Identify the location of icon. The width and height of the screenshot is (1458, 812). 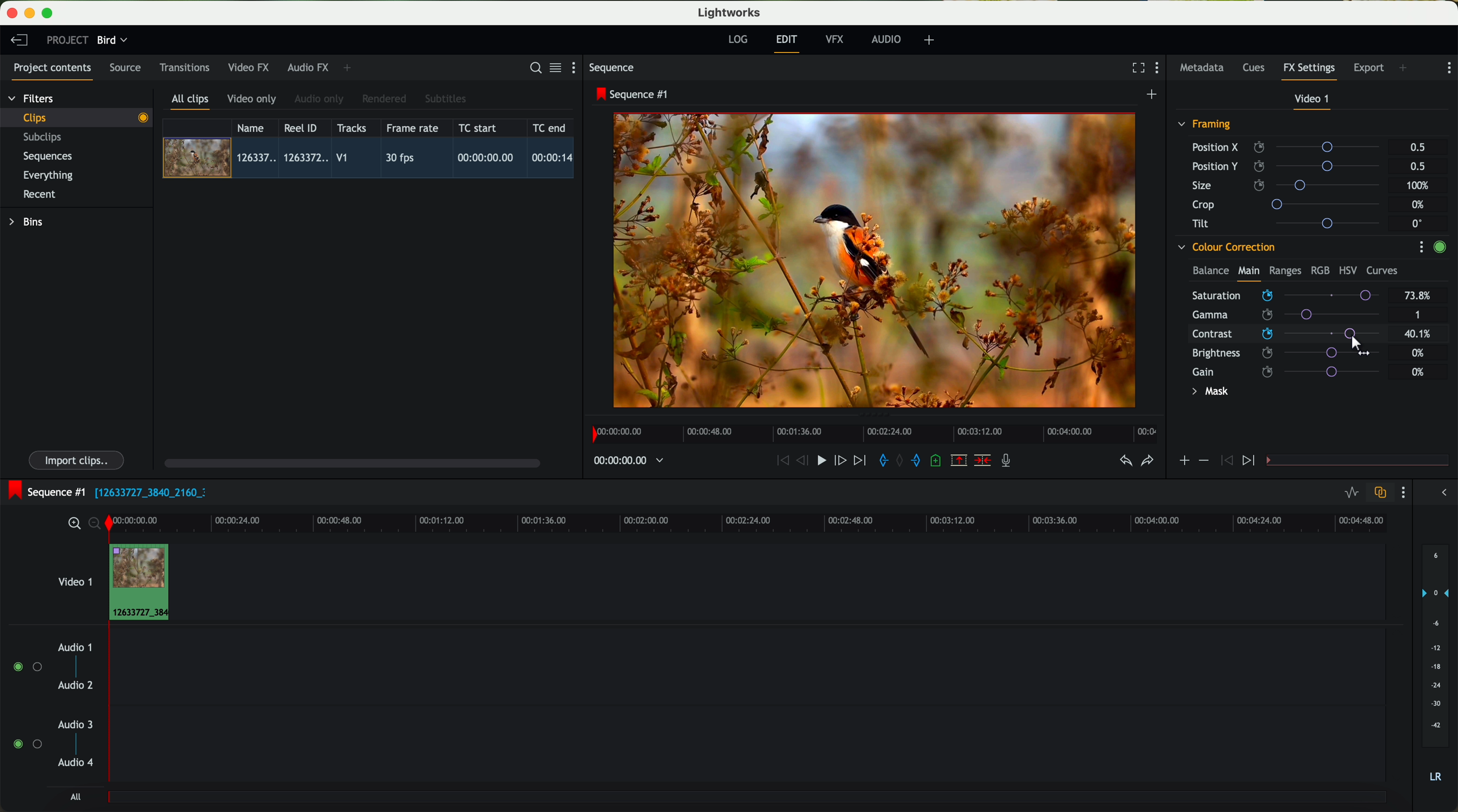
(1183, 462).